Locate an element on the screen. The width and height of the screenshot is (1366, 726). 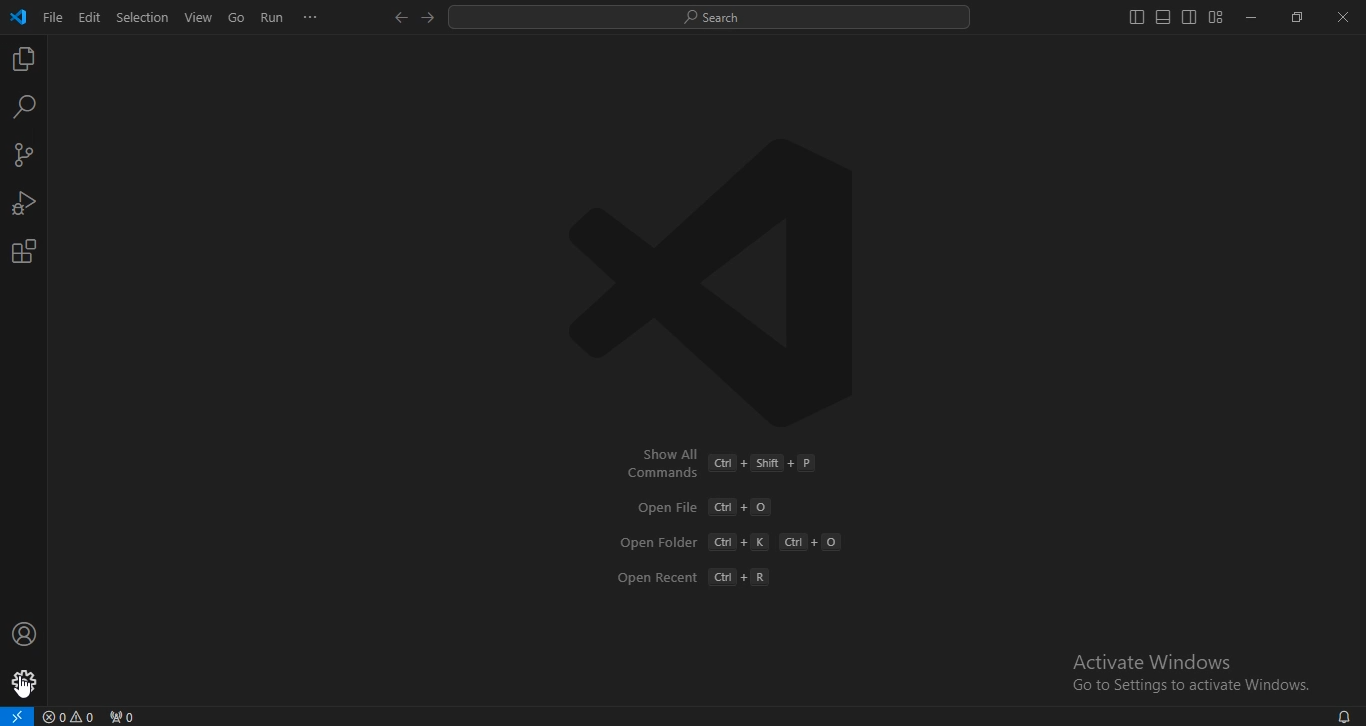
source control is located at coordinates (22, 157).